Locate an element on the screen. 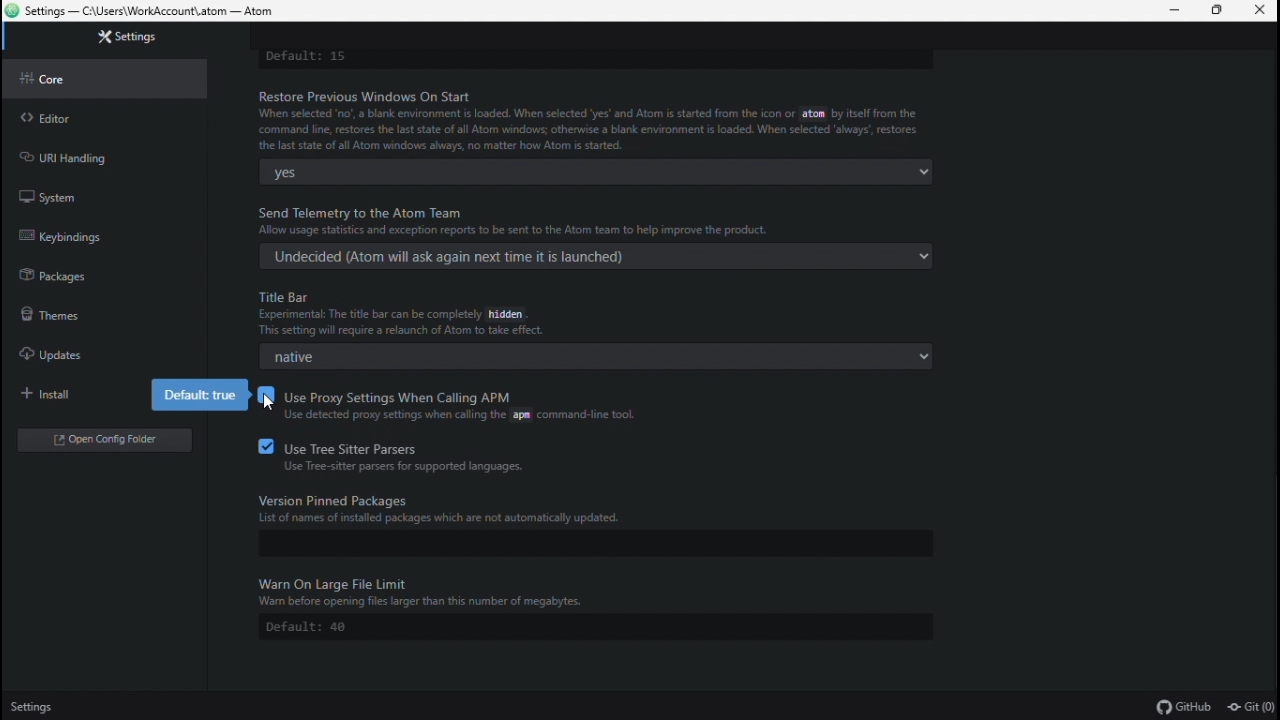  Restore previous Windows on start send is located at coordinates (592, 119).